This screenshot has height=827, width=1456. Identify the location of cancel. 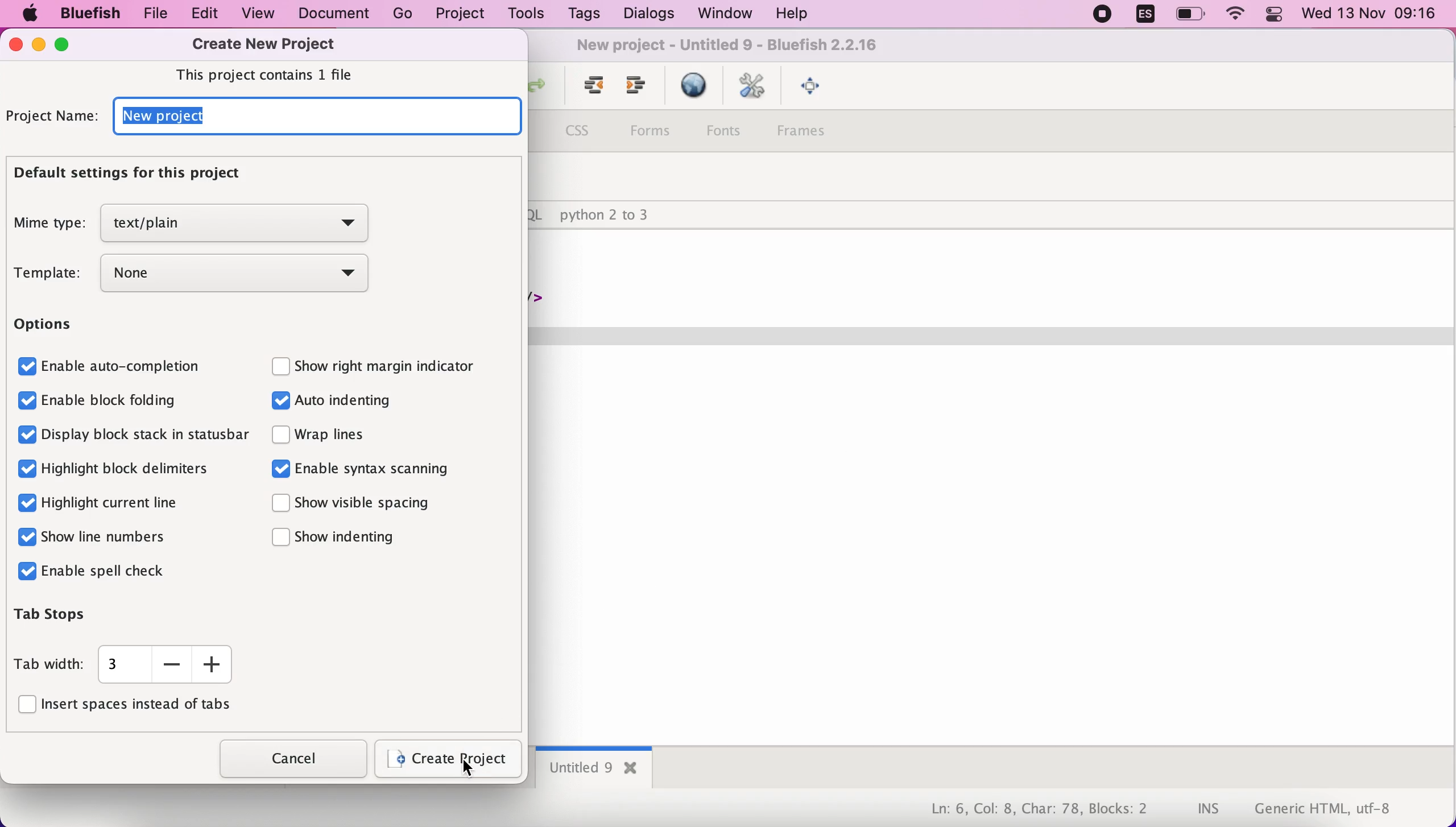
(287, 759).